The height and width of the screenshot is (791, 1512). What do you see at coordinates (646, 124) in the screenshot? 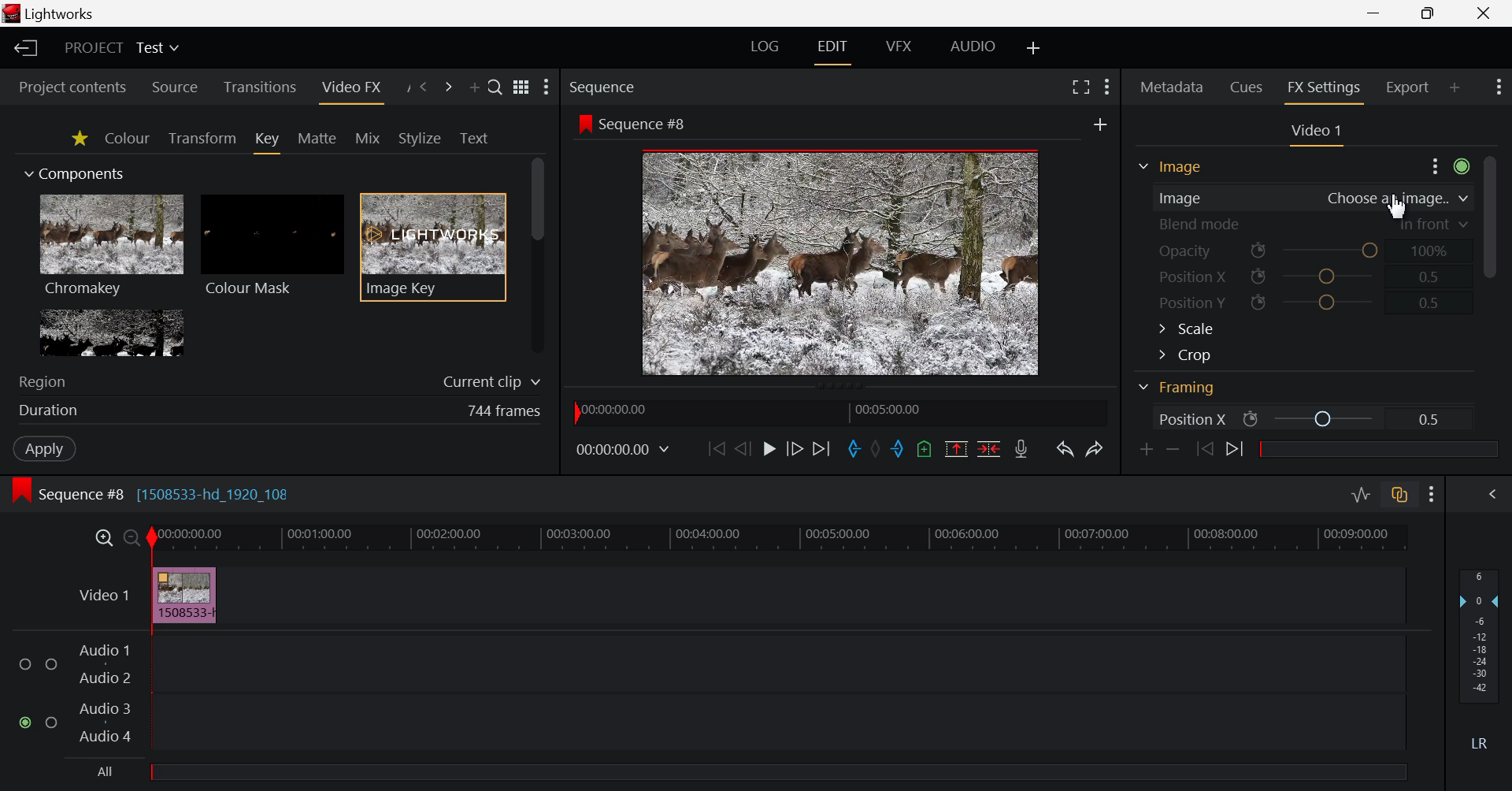
I see `Sequence #8` at bounding box center [646, 124].